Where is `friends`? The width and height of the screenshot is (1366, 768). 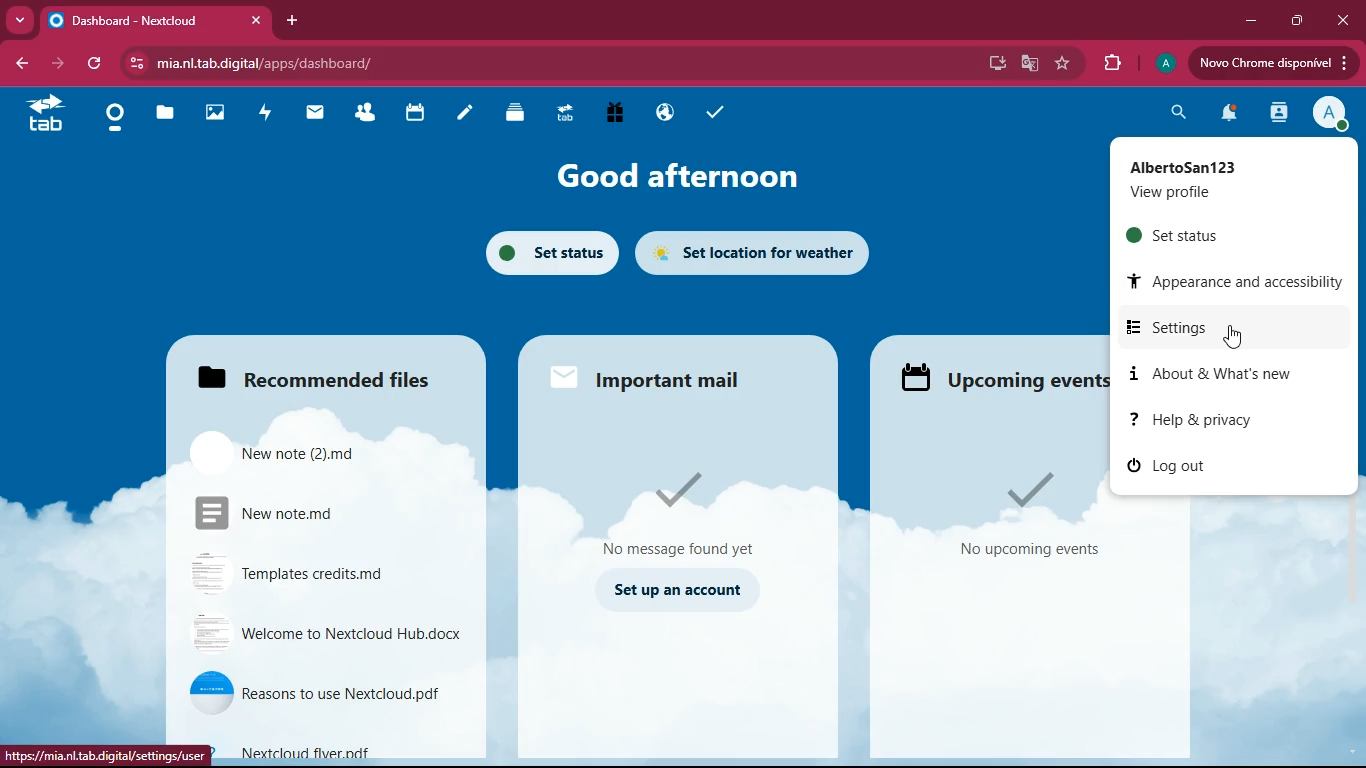
friends is located at coordinates (367, 114).